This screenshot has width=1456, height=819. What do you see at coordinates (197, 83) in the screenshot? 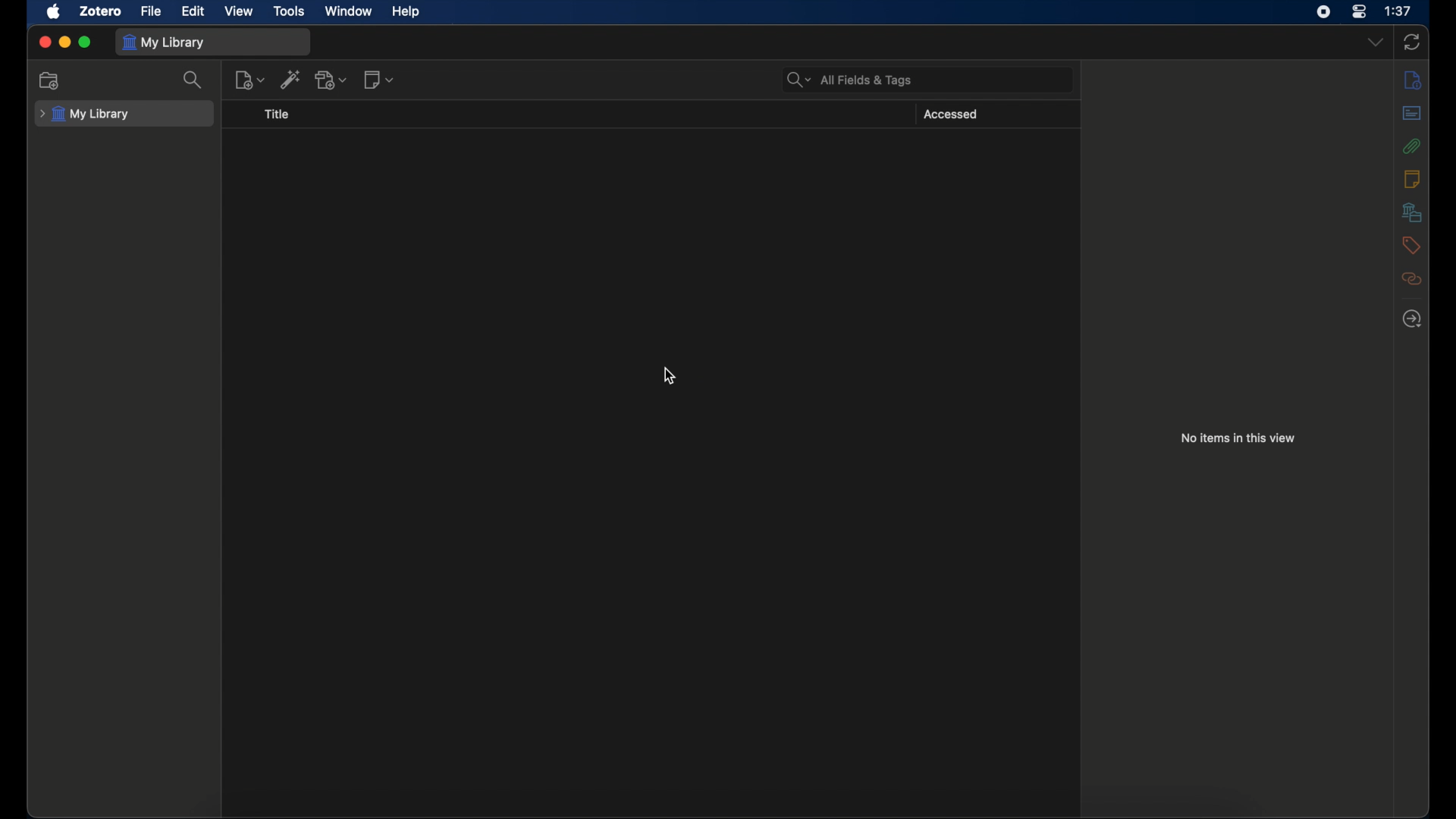
I see `search` at bounding box center [197, 83].